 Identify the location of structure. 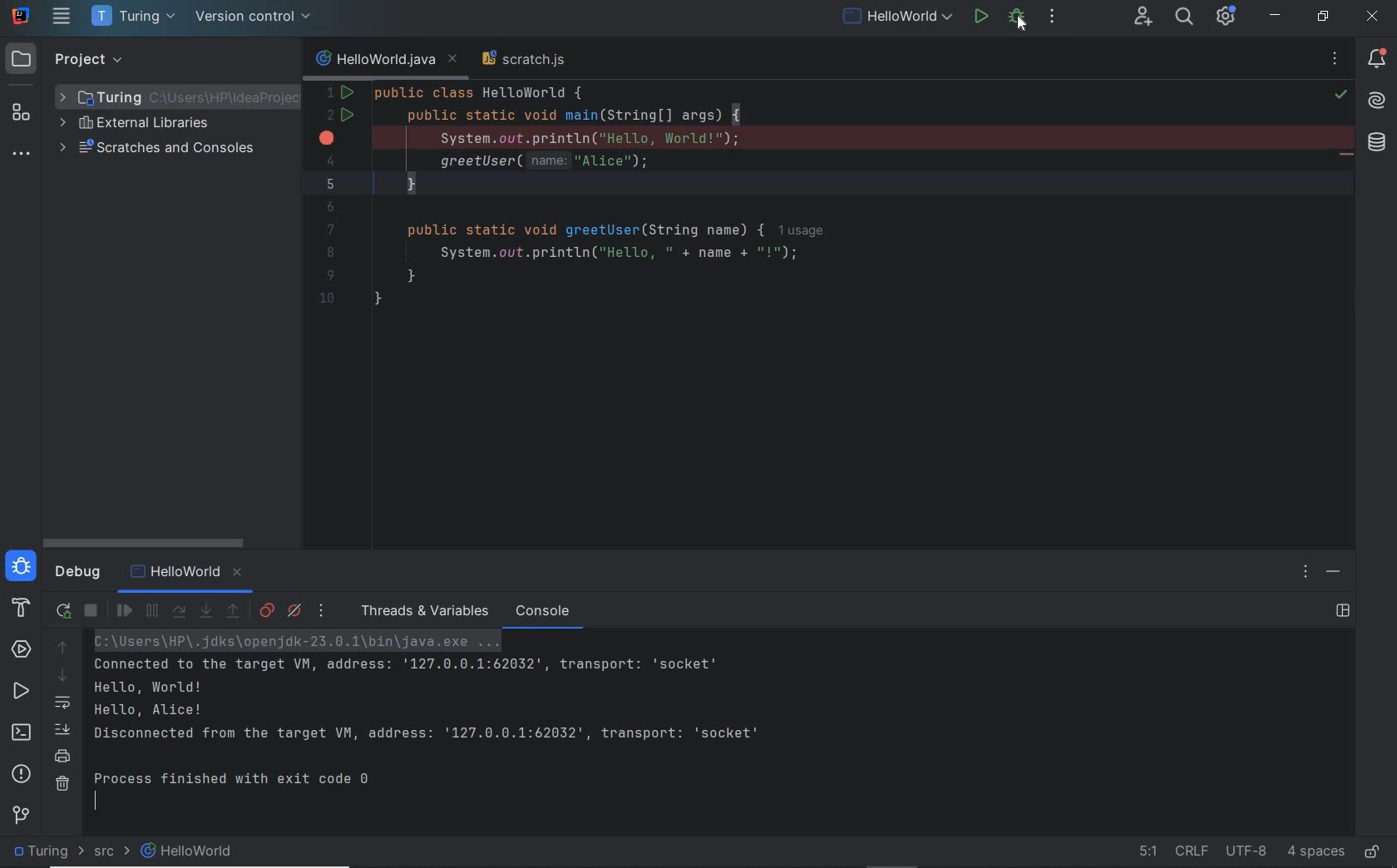
(22, 116).